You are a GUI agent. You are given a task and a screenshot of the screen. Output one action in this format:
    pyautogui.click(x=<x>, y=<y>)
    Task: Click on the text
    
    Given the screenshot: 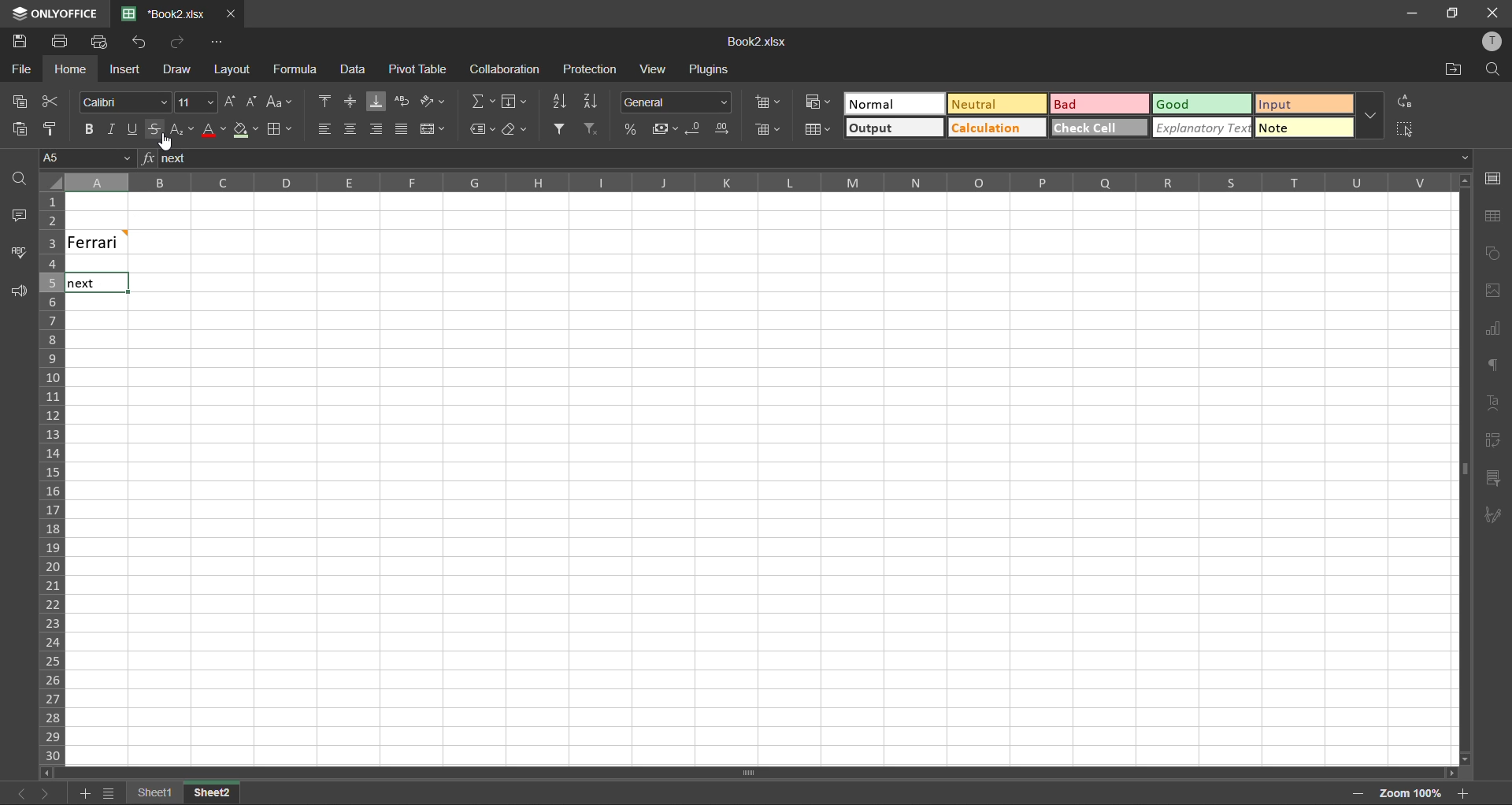 What is the action you would take?
    pyautogui.click(x=1495, y=404)
    